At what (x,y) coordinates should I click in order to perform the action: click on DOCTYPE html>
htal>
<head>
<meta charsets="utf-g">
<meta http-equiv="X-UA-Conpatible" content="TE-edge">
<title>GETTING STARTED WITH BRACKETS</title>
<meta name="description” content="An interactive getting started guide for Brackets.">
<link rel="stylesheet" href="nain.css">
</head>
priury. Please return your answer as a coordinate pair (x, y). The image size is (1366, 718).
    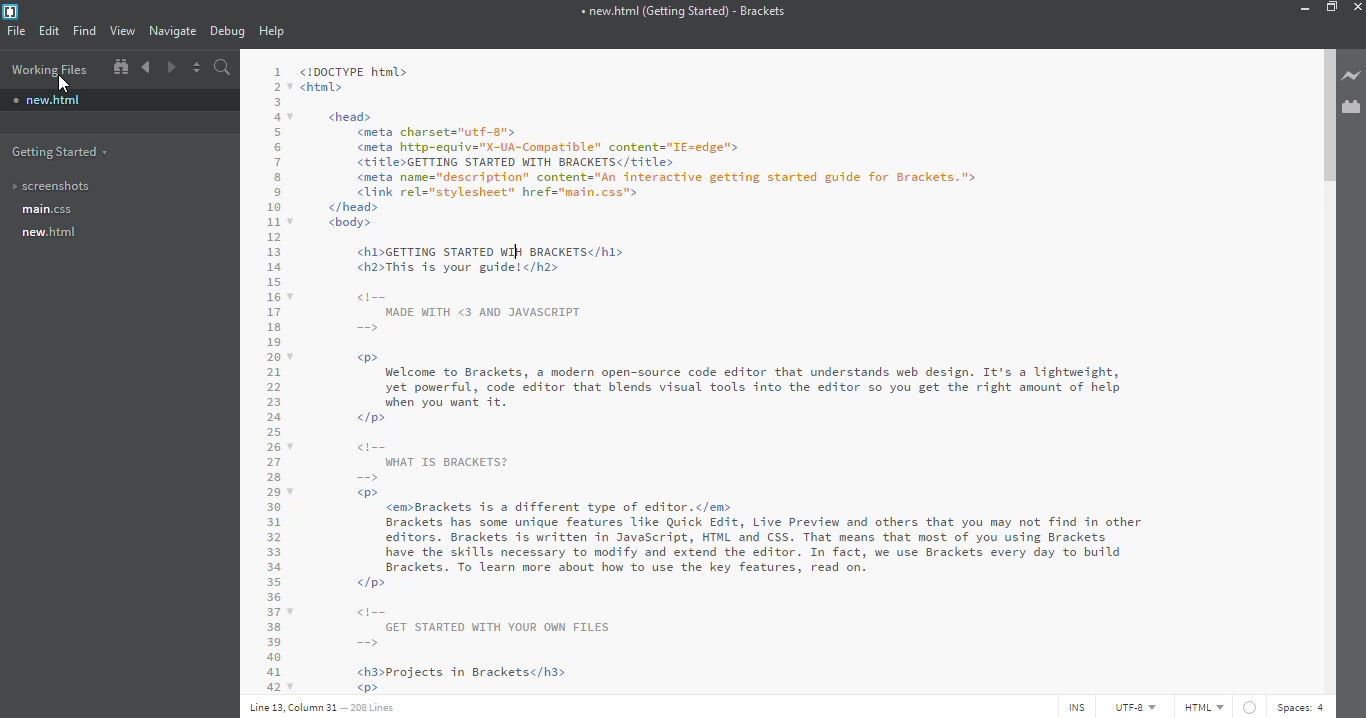
    Looking at the image, I should click on (673, 146).